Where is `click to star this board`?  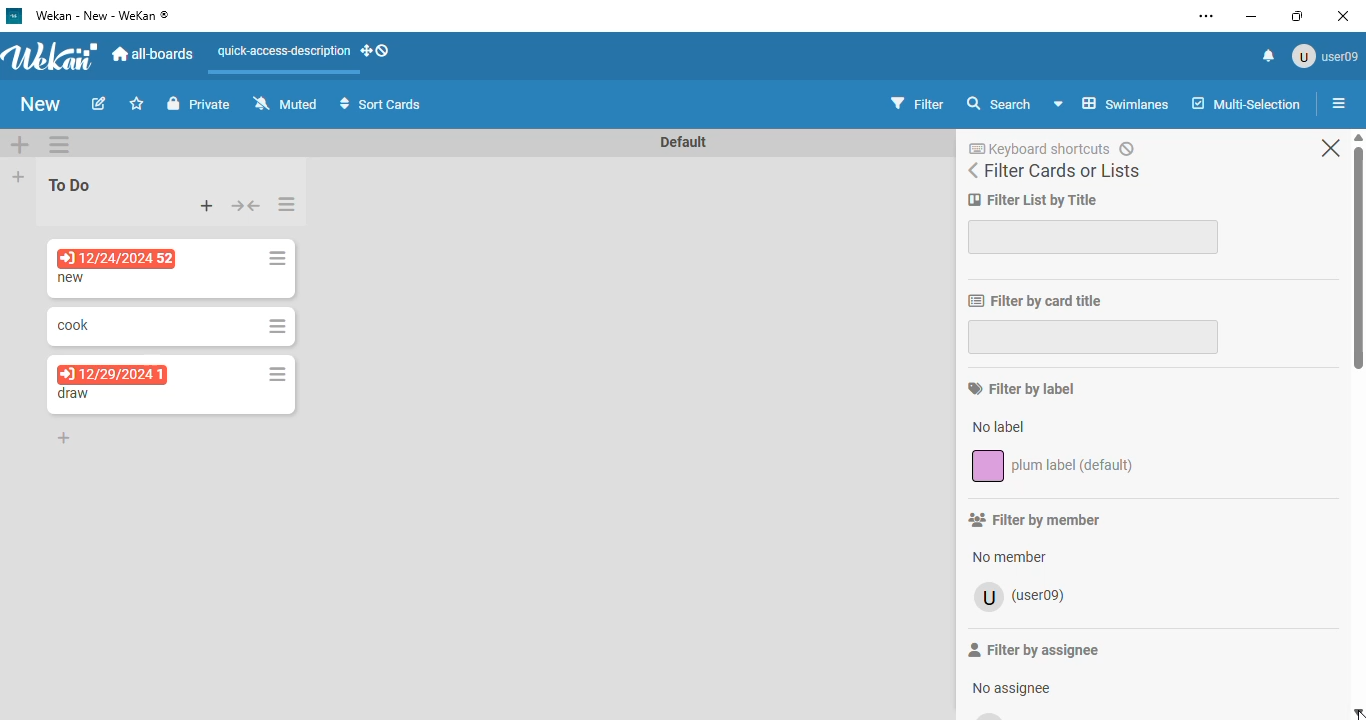 click to star this board is located at coordinates (137, 103).